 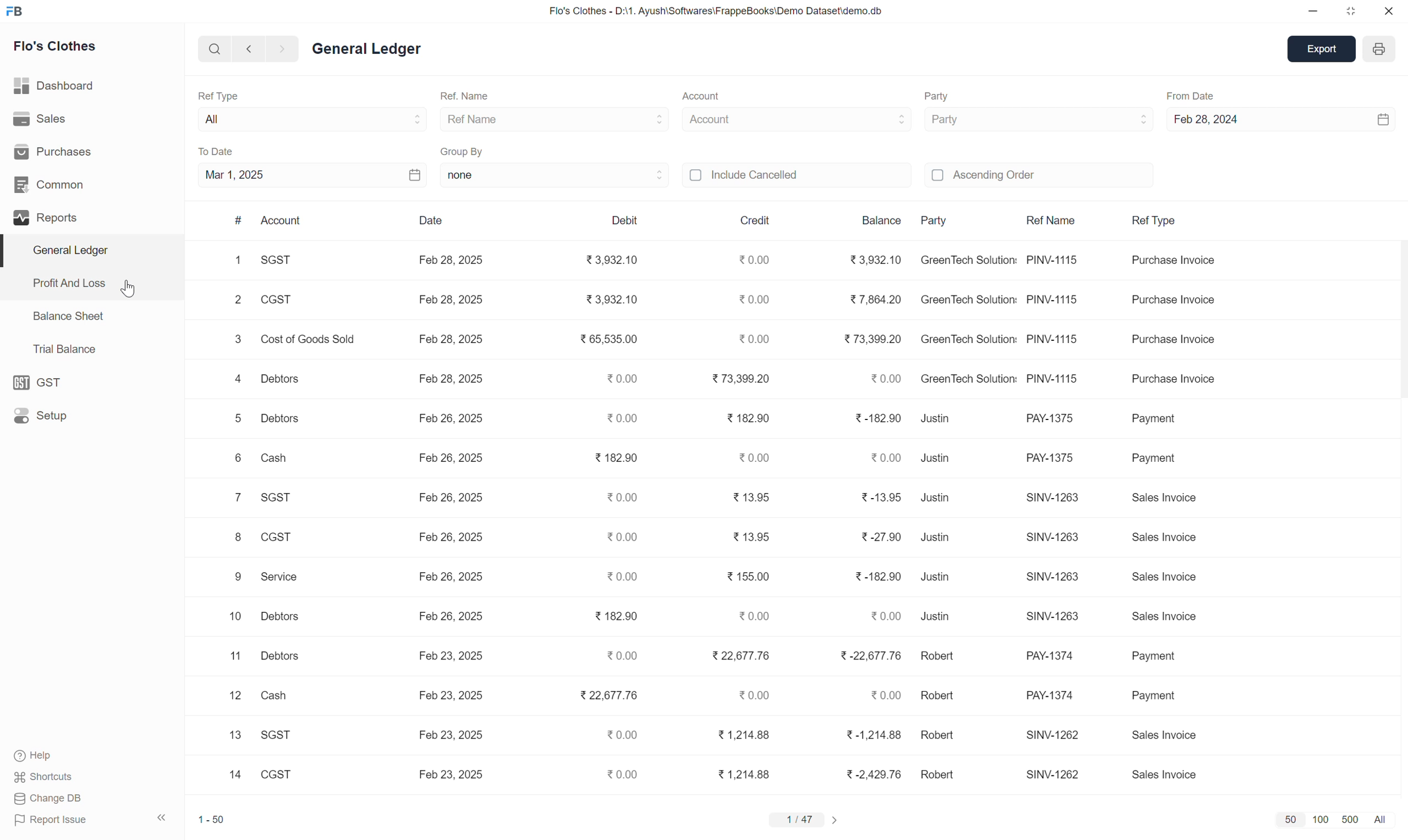 What do you see at coordinates (443, 222) in the screenshot?
I see `Date` at bounding box center [443, 222].